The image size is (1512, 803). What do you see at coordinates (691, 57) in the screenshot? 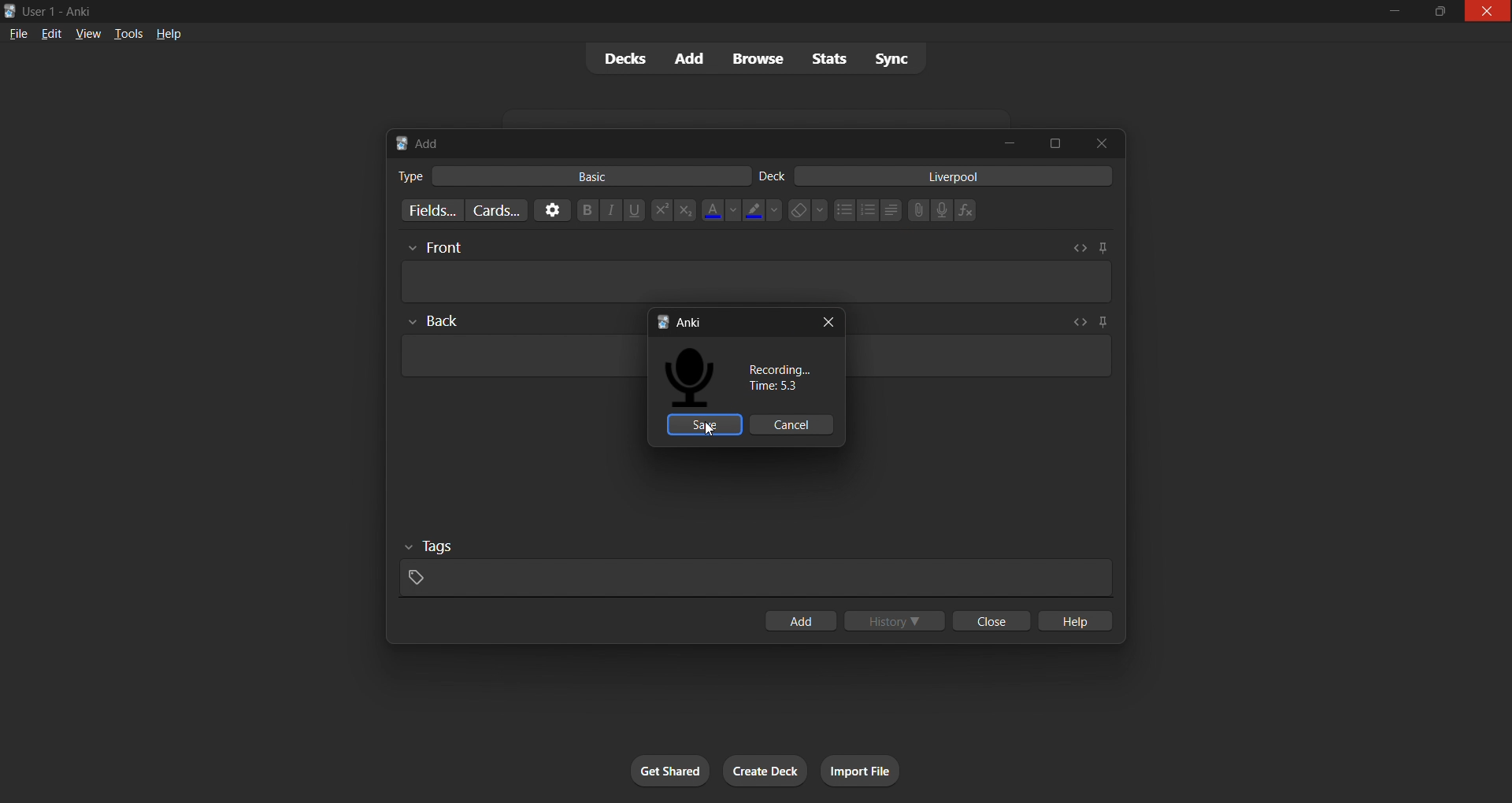
I see `add` at bounding box center [691, 57].